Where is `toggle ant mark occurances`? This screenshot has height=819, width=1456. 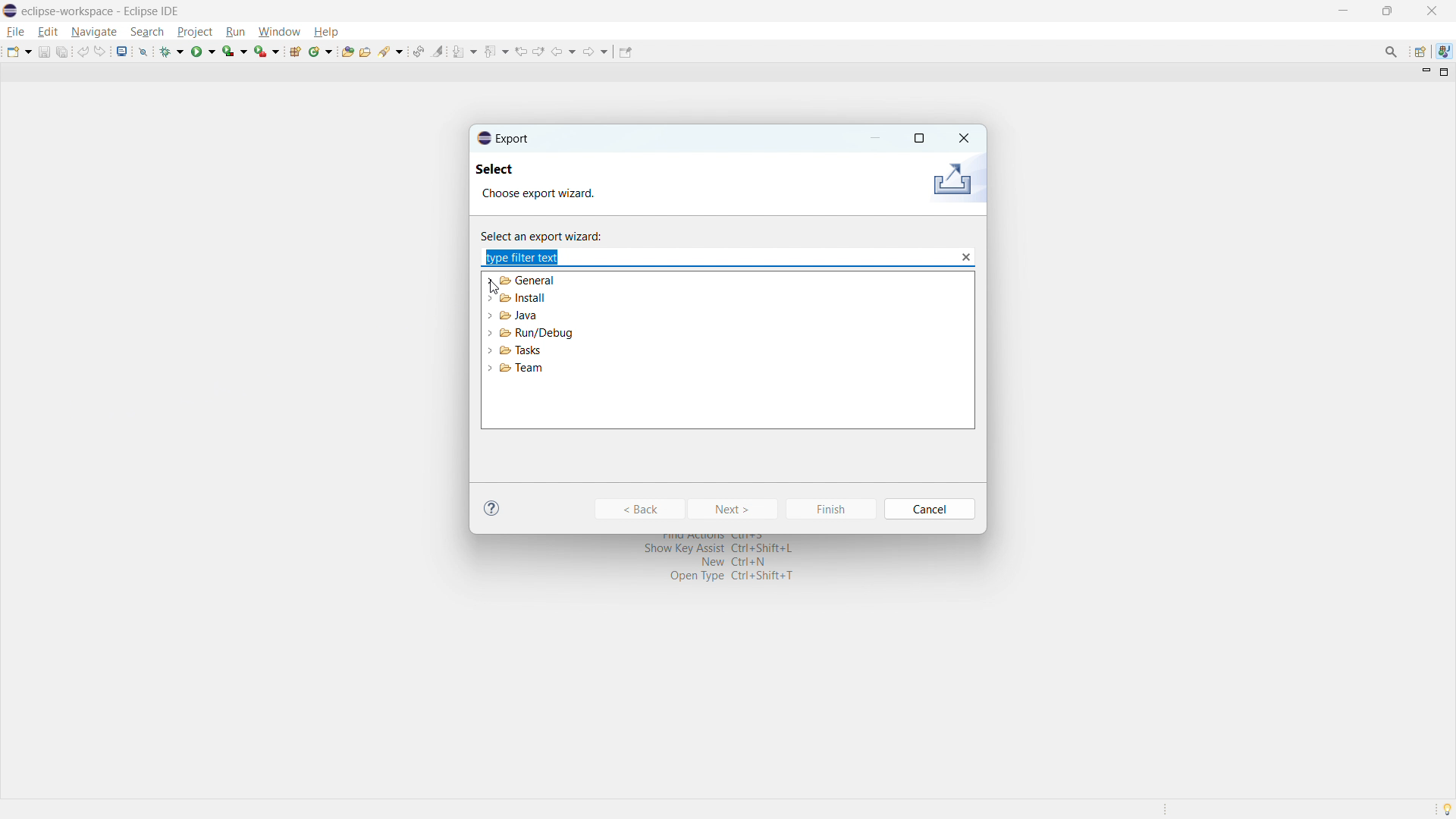
toggle ant mark occurances is located at coordinates (438, 51).